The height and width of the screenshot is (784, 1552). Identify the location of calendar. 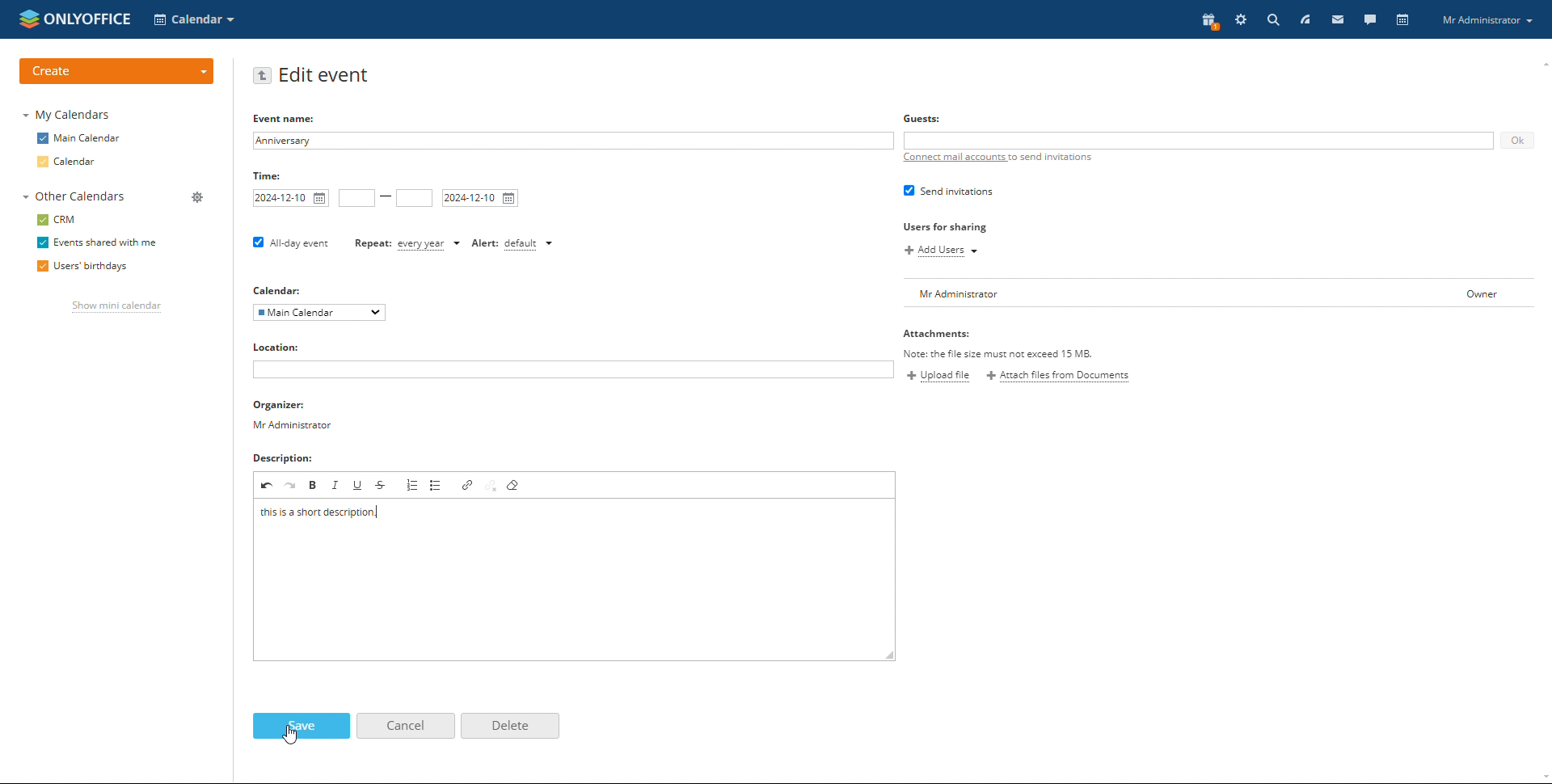
(70, 162).